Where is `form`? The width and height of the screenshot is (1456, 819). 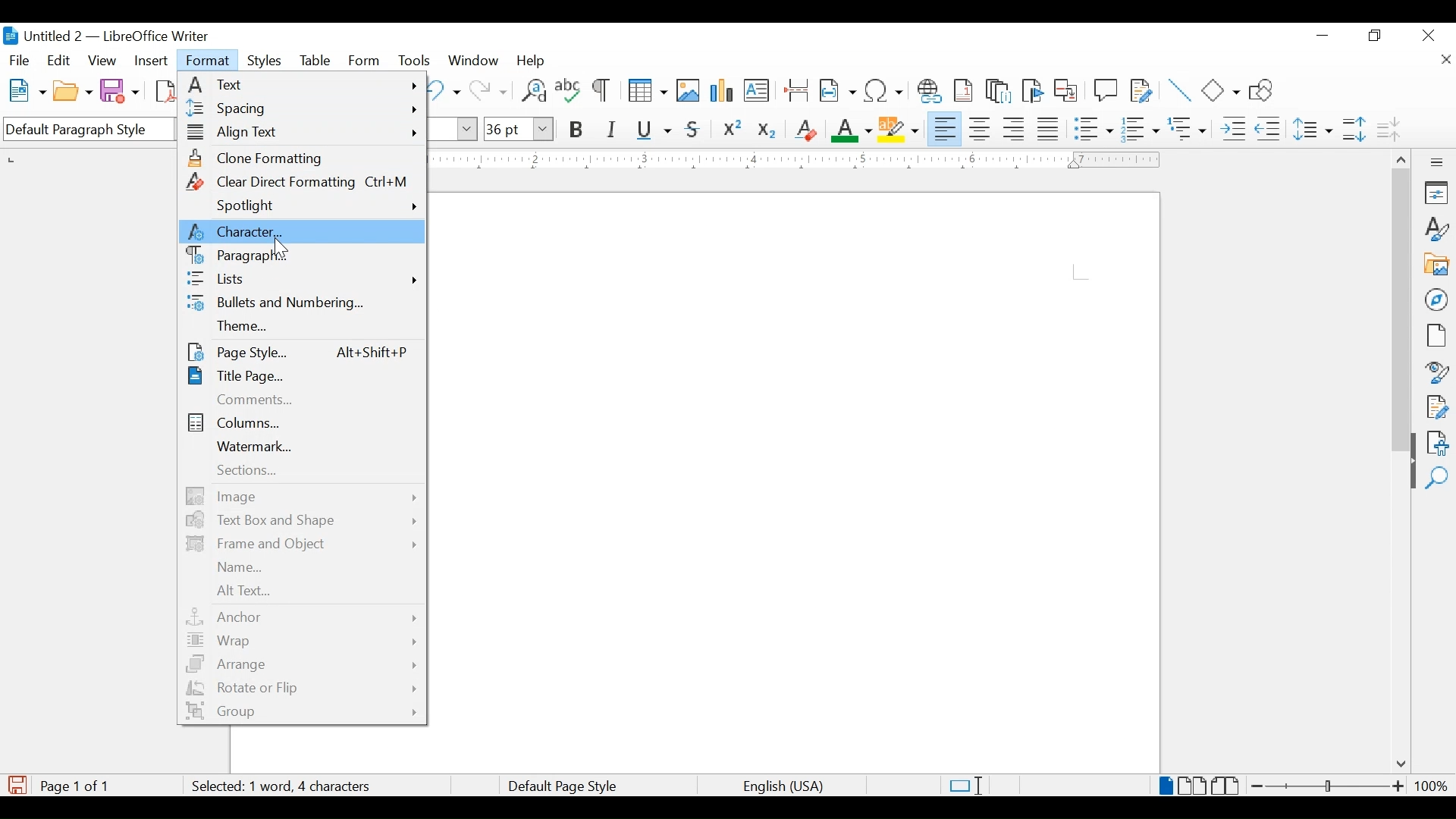 form is located at coordinates (366, 61).